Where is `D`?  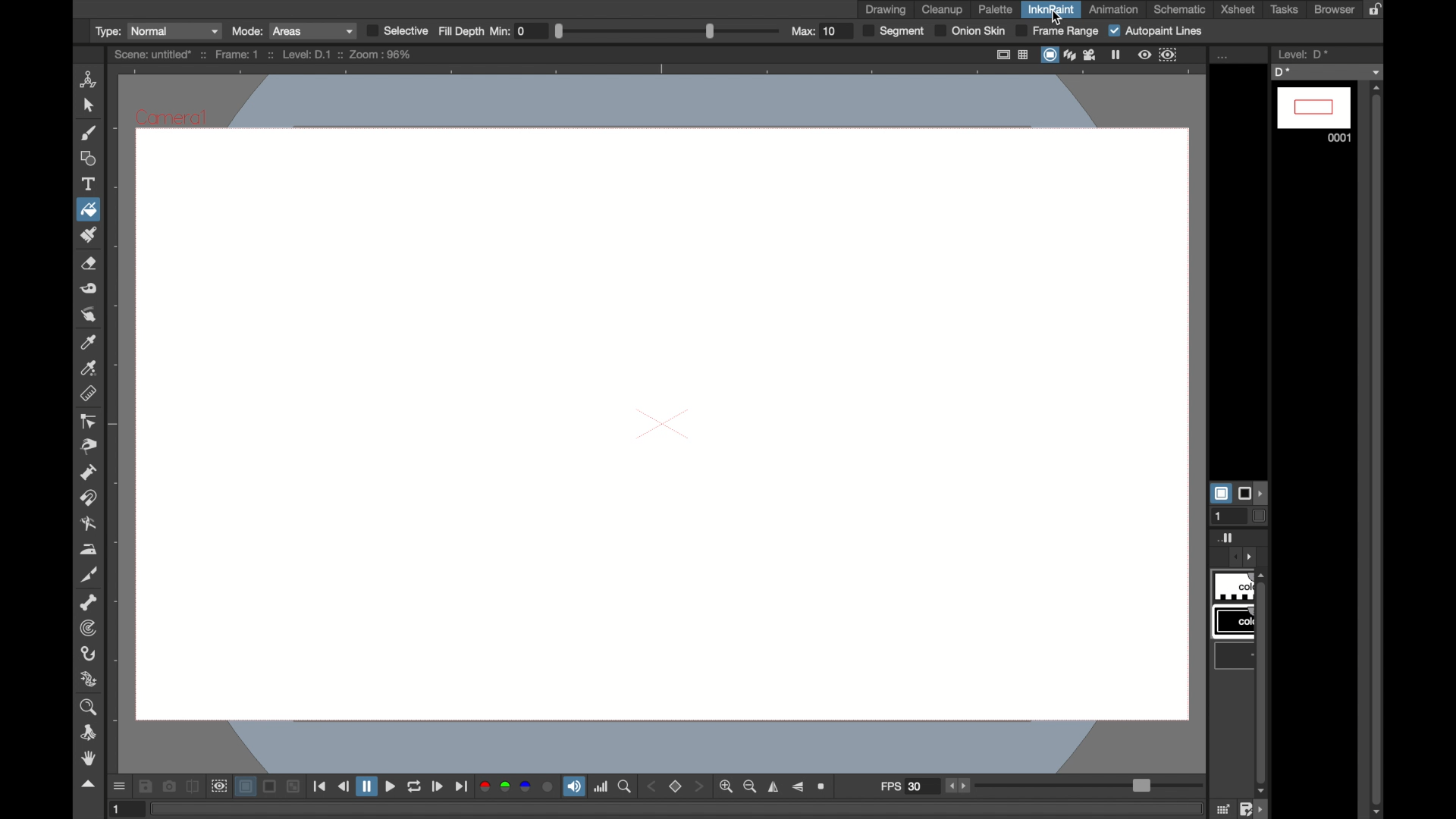
D is located at coordinates (1327, 71).